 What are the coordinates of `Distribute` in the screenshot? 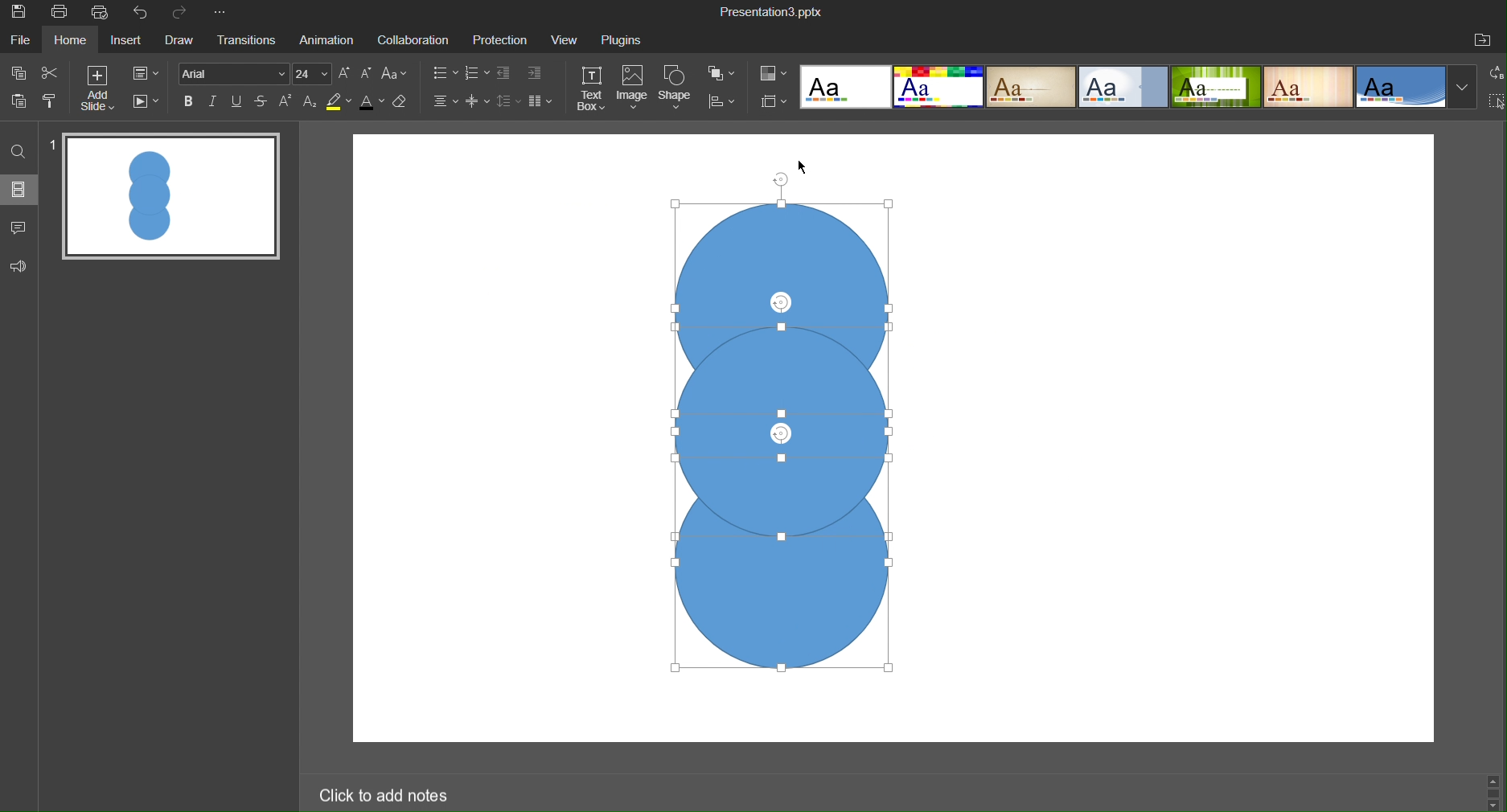 It's located at (727, 103).